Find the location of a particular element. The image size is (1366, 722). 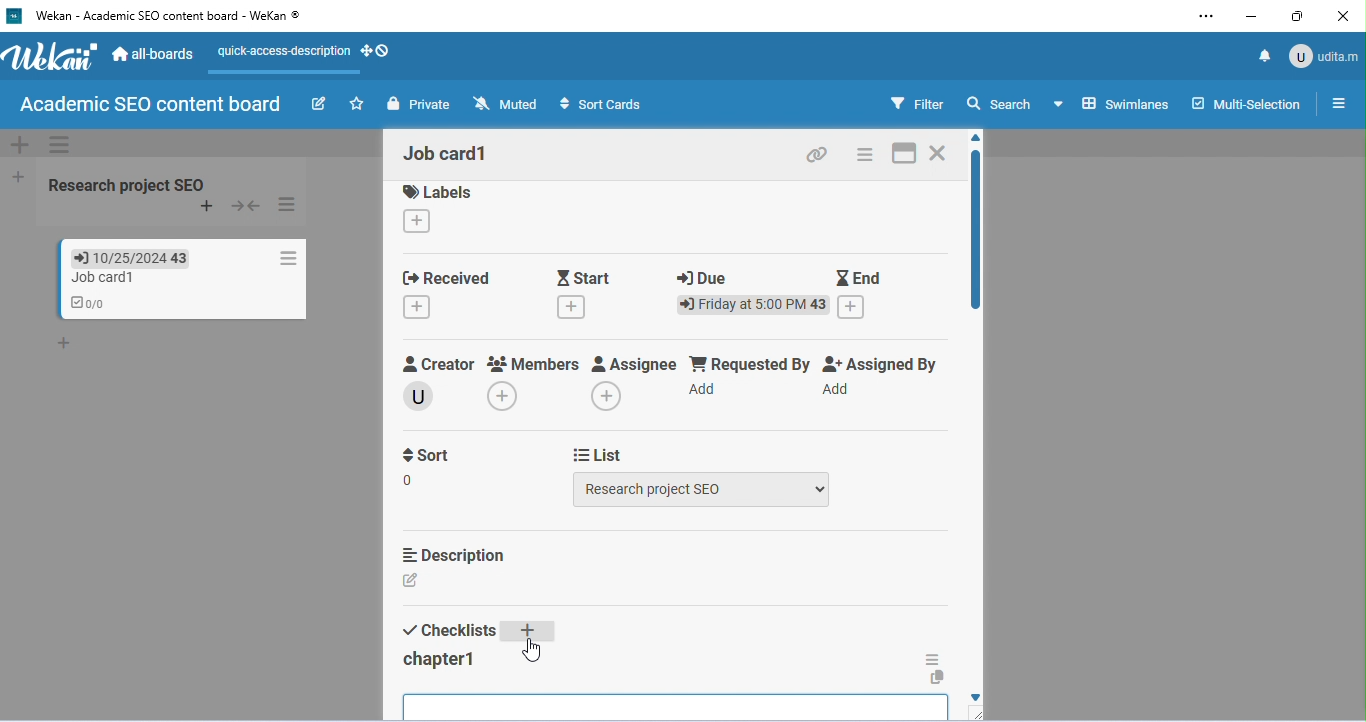

due date of card is located at coordinates (120, 257).